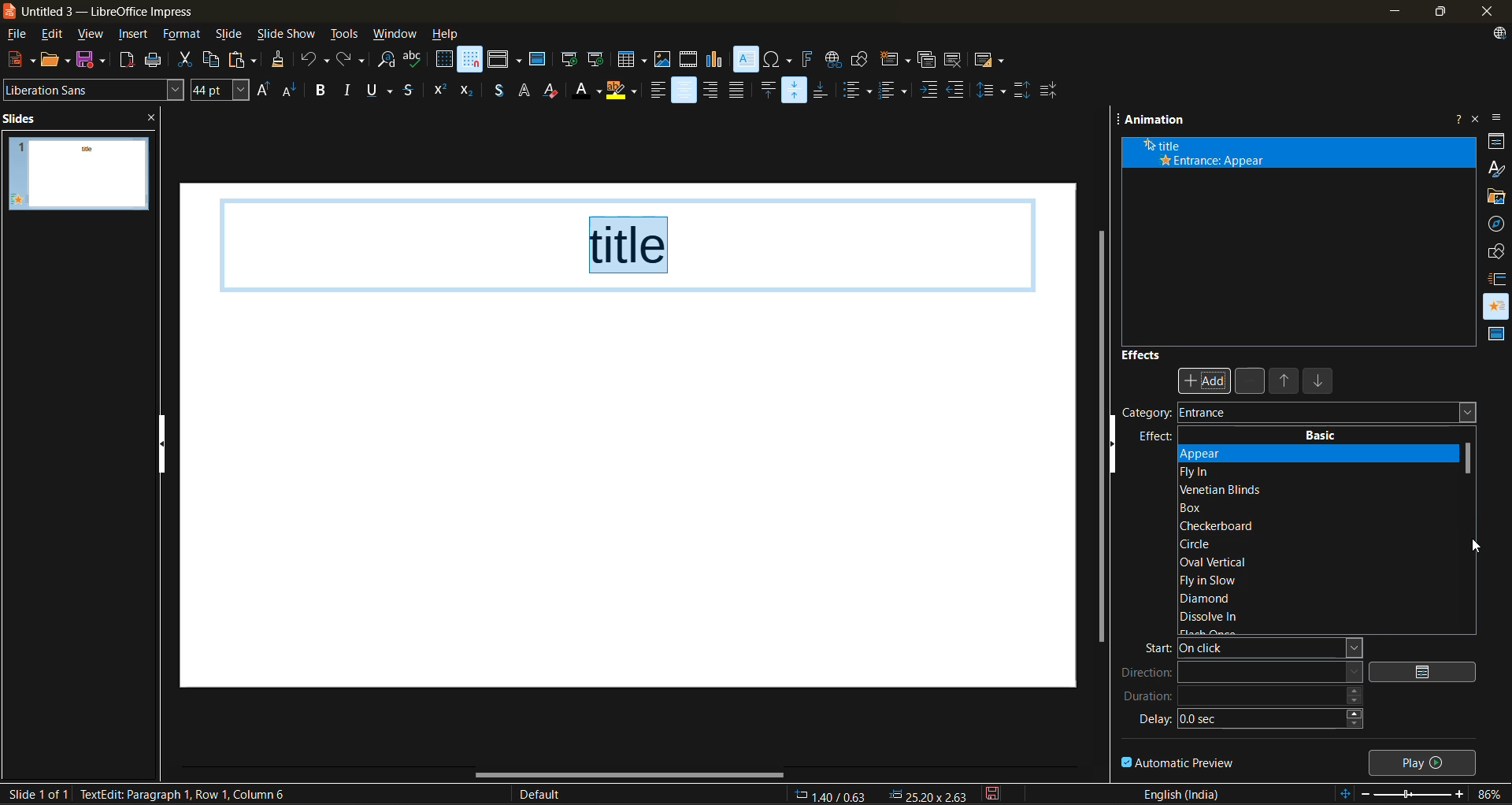 The width and height of the screenshot is (1512, 805). Describe the element at coordinates (1119, 453) in the screenshot. I see `hide` at that location.